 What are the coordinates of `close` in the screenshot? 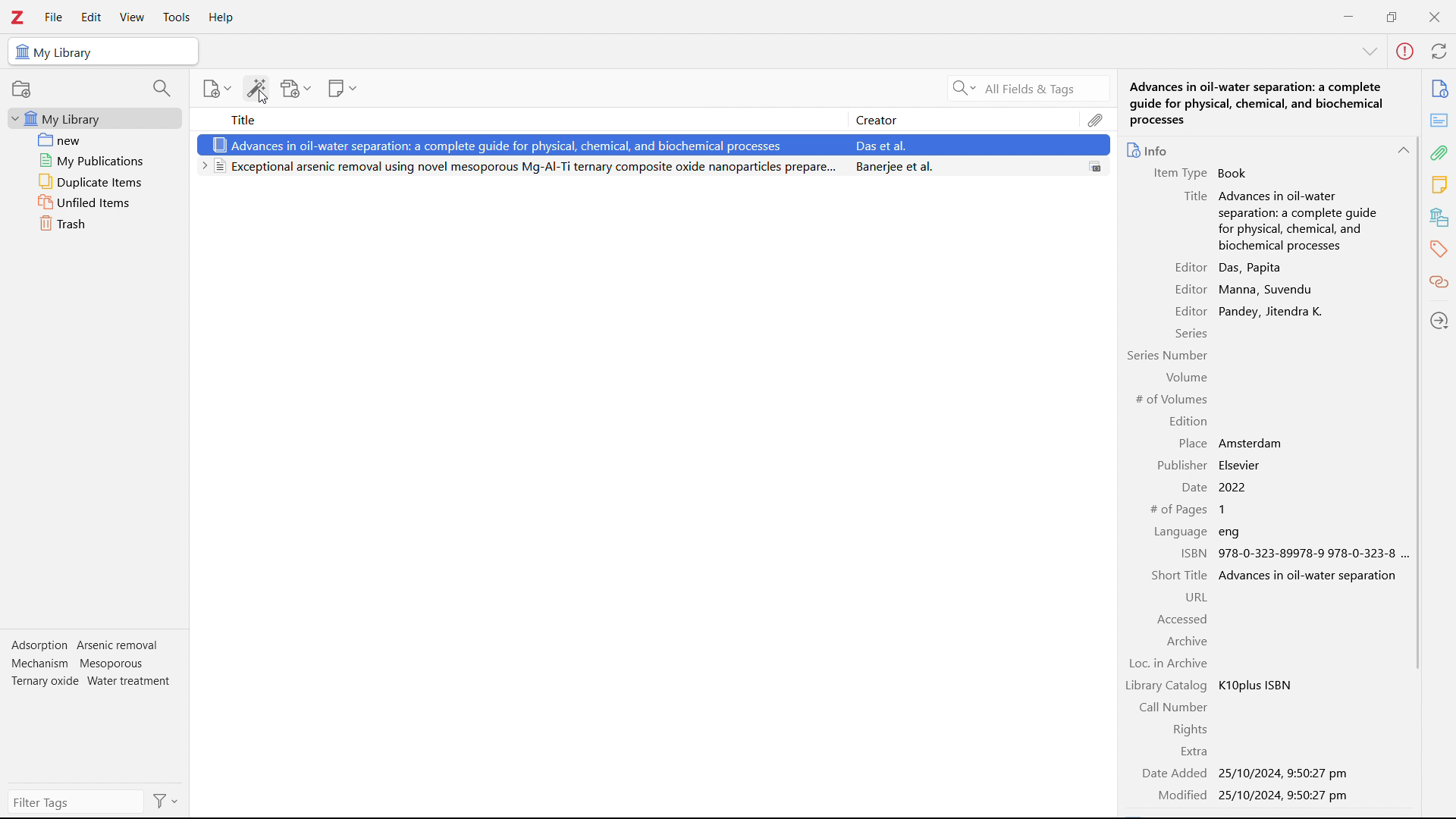 It's located at (1433, 17).